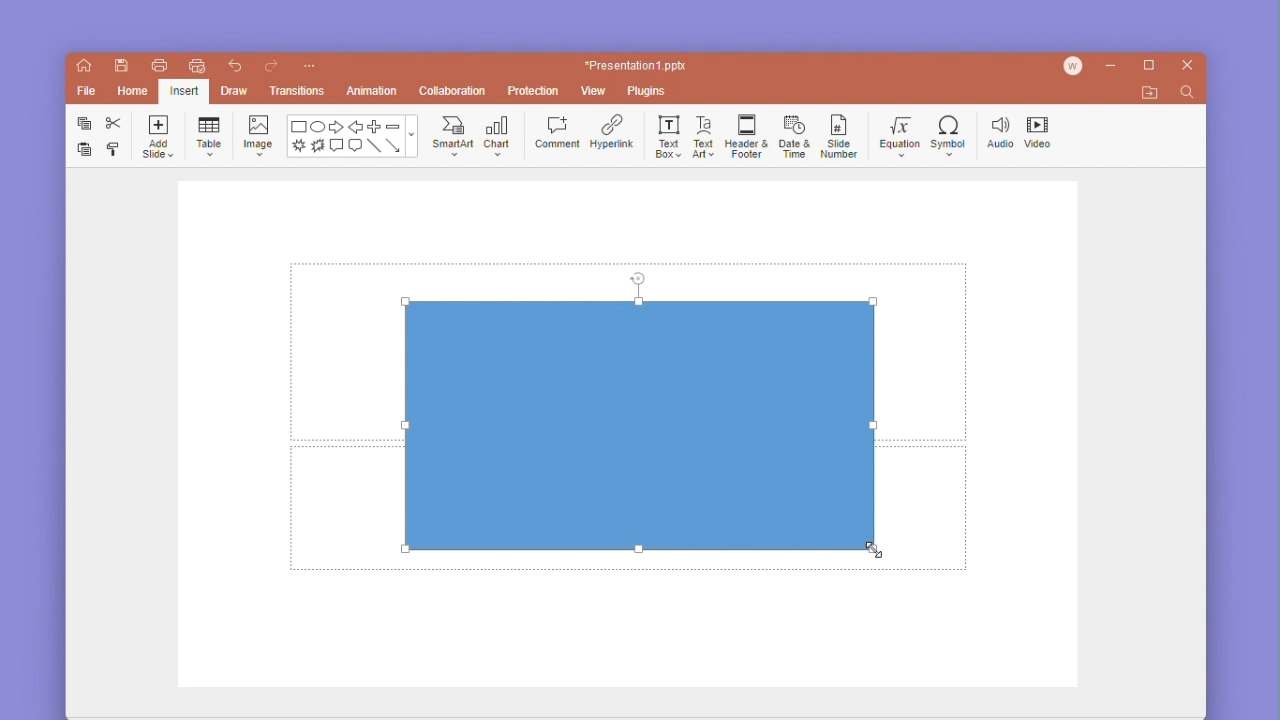 This screenshot has height=720, width=1280. What do you see at coordinates (640, 278) in the screenshot?
I see `rotate tool` at bounding box center [640, 278].